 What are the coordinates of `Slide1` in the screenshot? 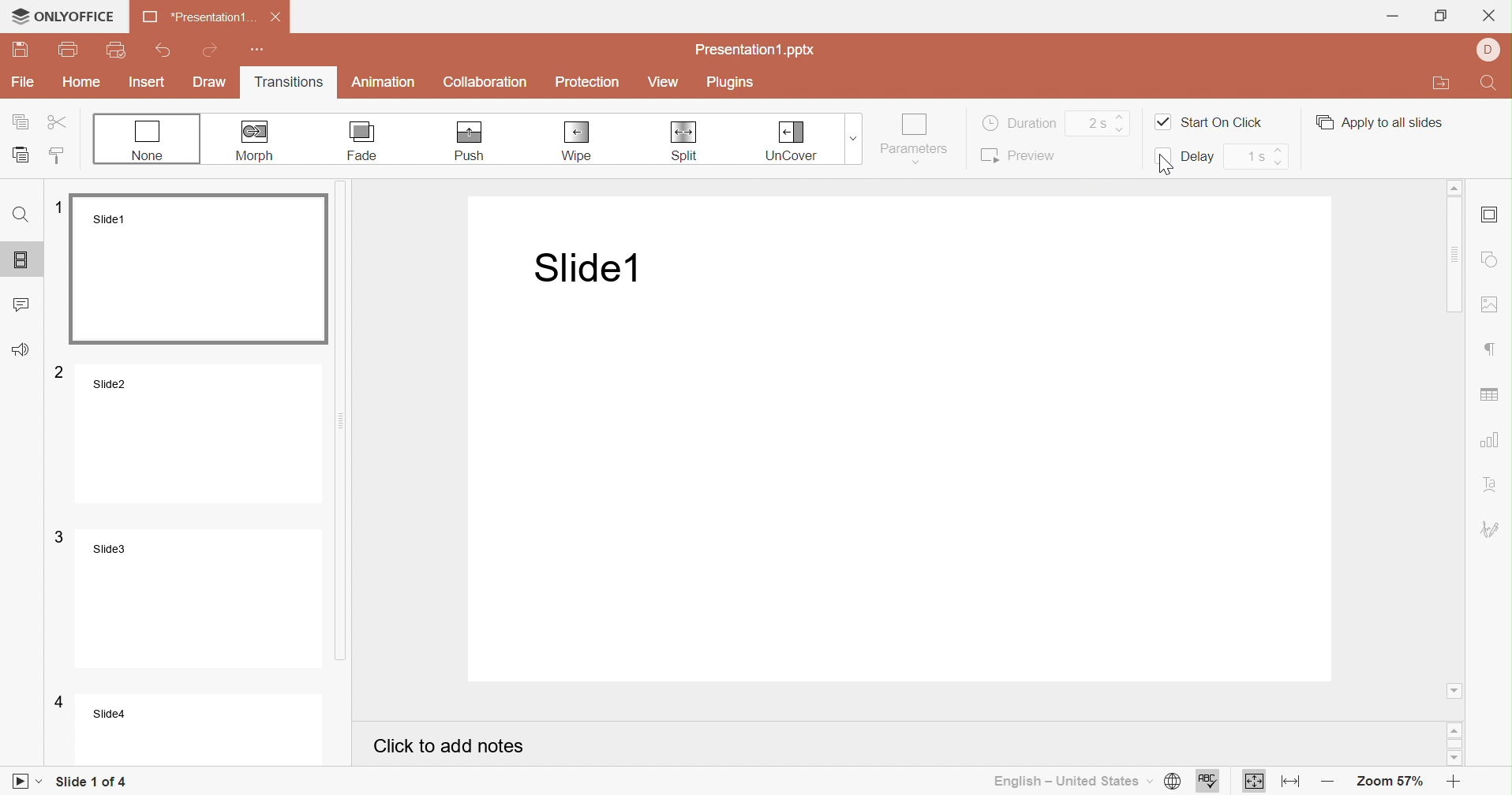 It's located at (194, 268).